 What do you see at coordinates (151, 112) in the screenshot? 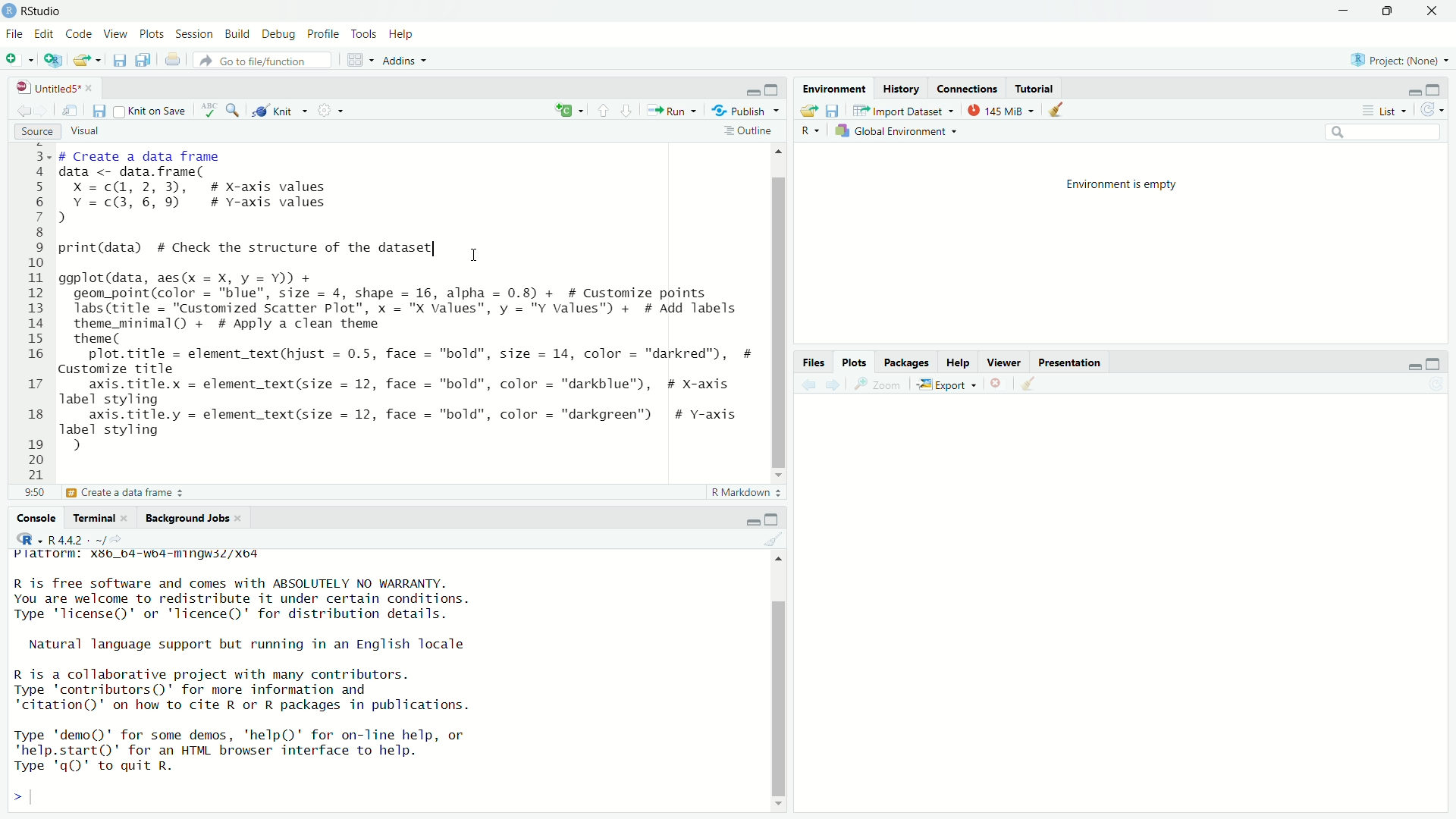
I see `Knit on save` at bounding box center [151, 112].